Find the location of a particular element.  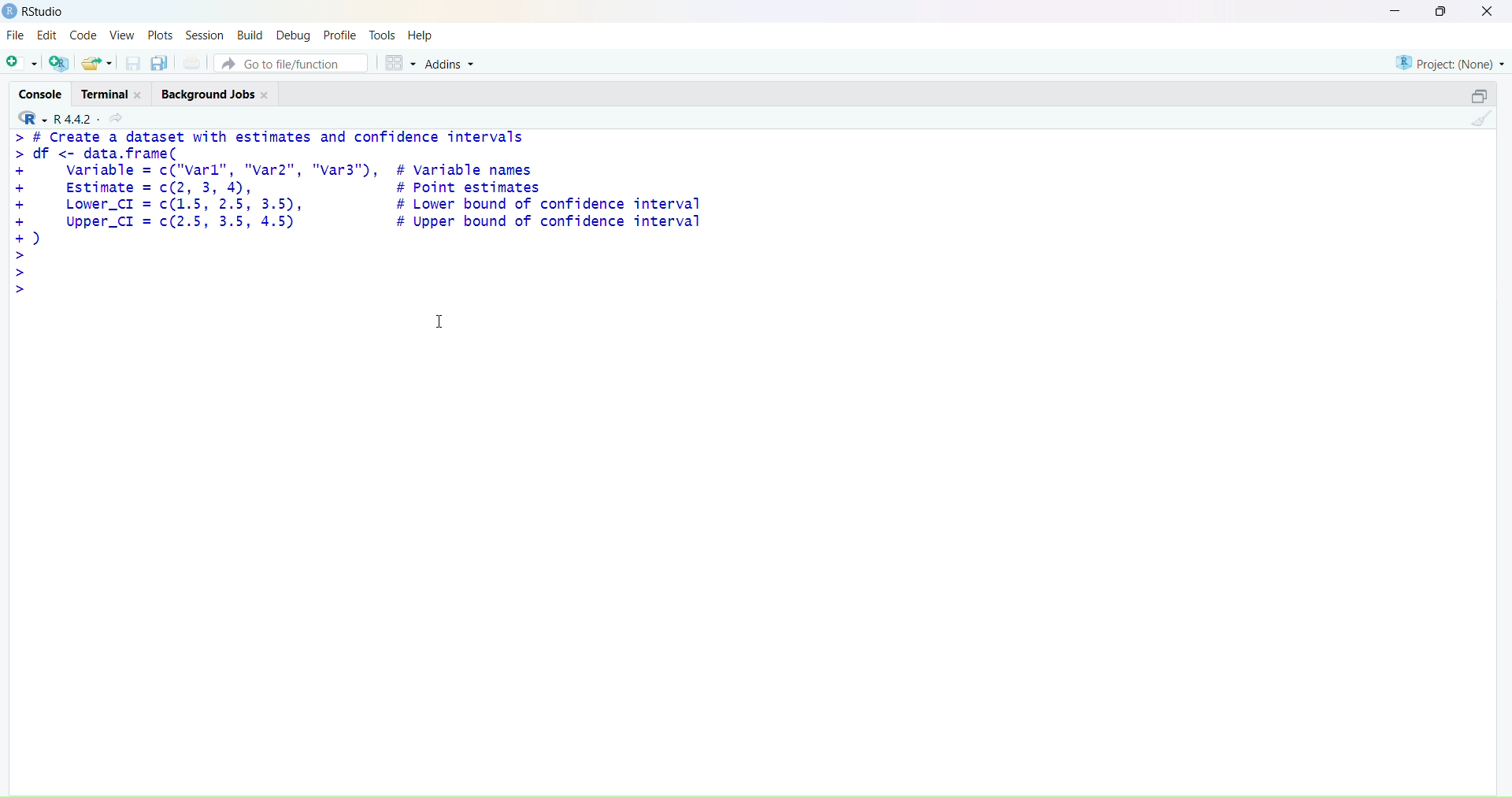

Go to file/function is located at coordinates (290, 64).